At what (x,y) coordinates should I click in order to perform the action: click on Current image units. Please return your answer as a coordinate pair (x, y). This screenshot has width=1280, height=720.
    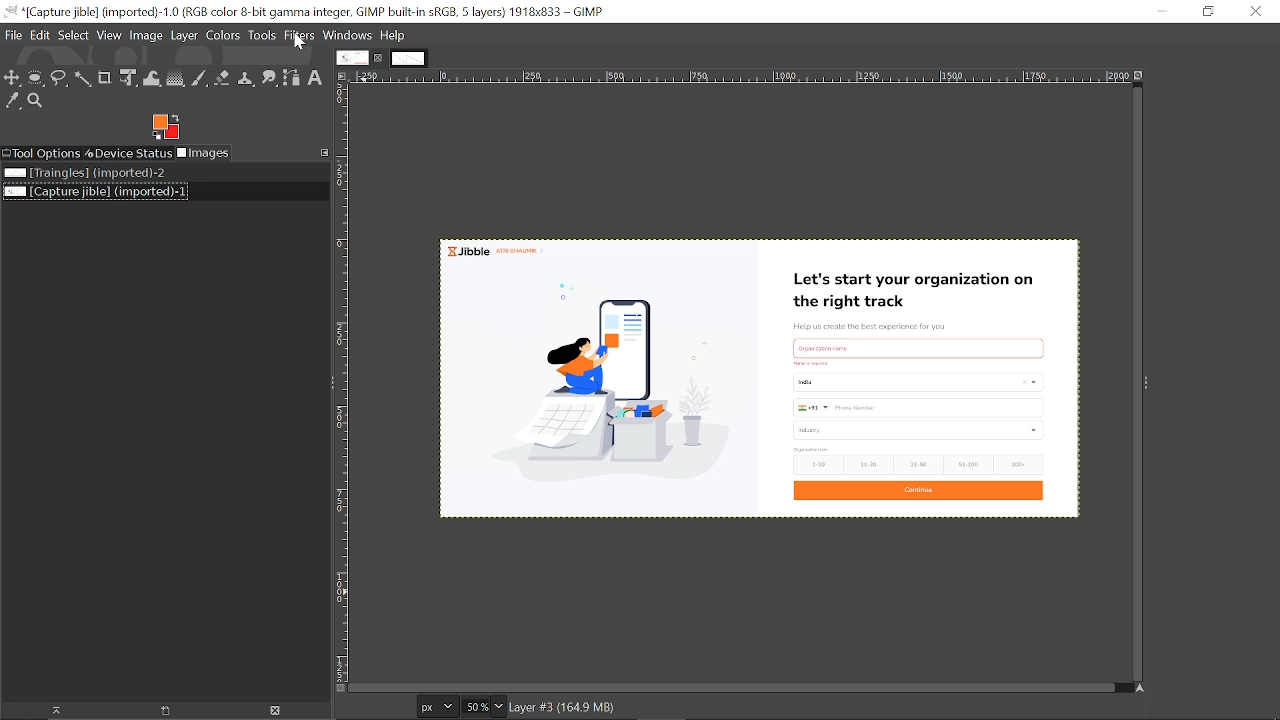
    Looking at the image, I should click on (438, 707).